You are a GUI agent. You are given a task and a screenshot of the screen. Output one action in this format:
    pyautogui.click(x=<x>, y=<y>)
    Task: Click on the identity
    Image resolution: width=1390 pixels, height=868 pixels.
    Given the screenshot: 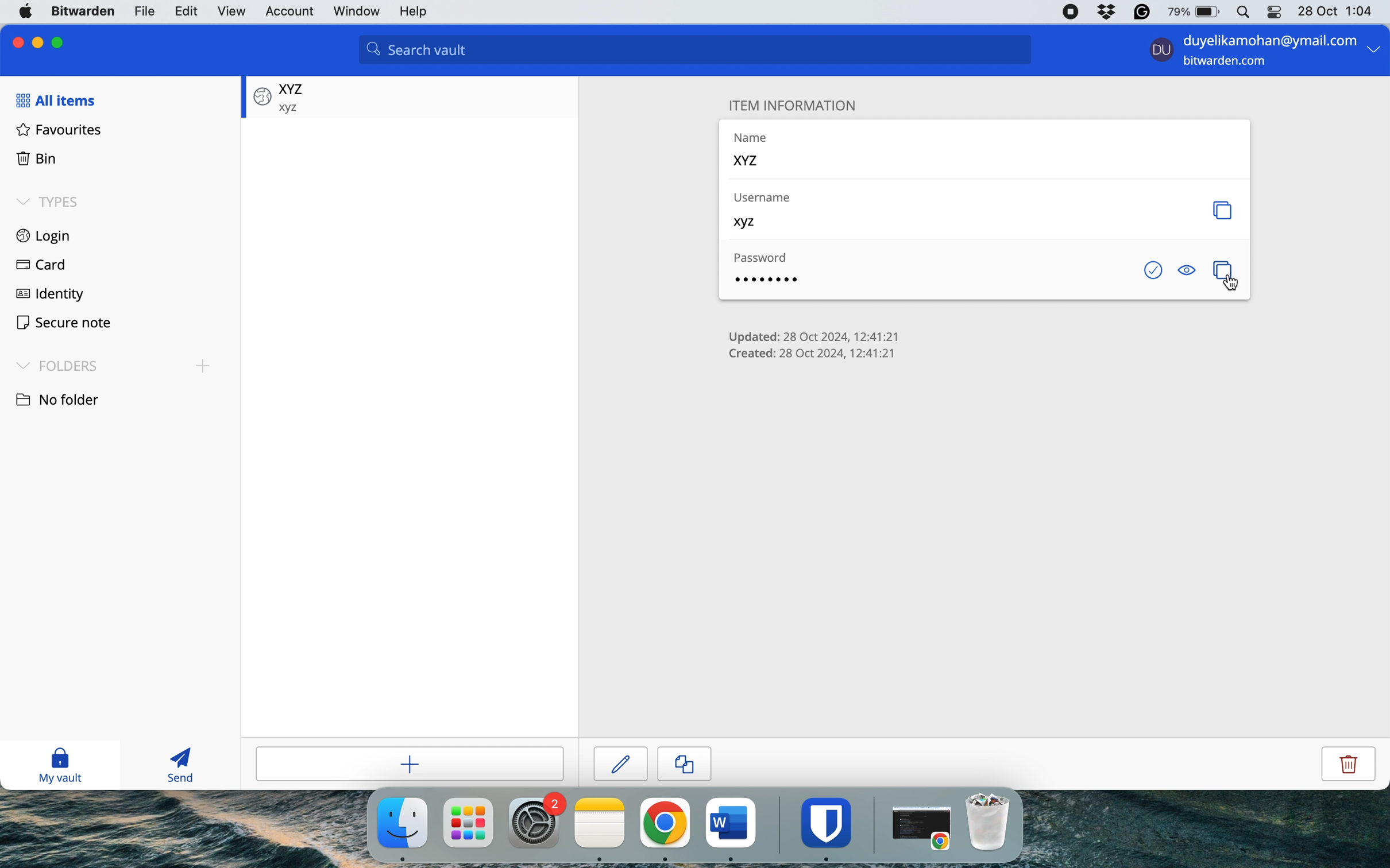 What is the action you would take?
    pyautogui.click(x=50, y=296)
    